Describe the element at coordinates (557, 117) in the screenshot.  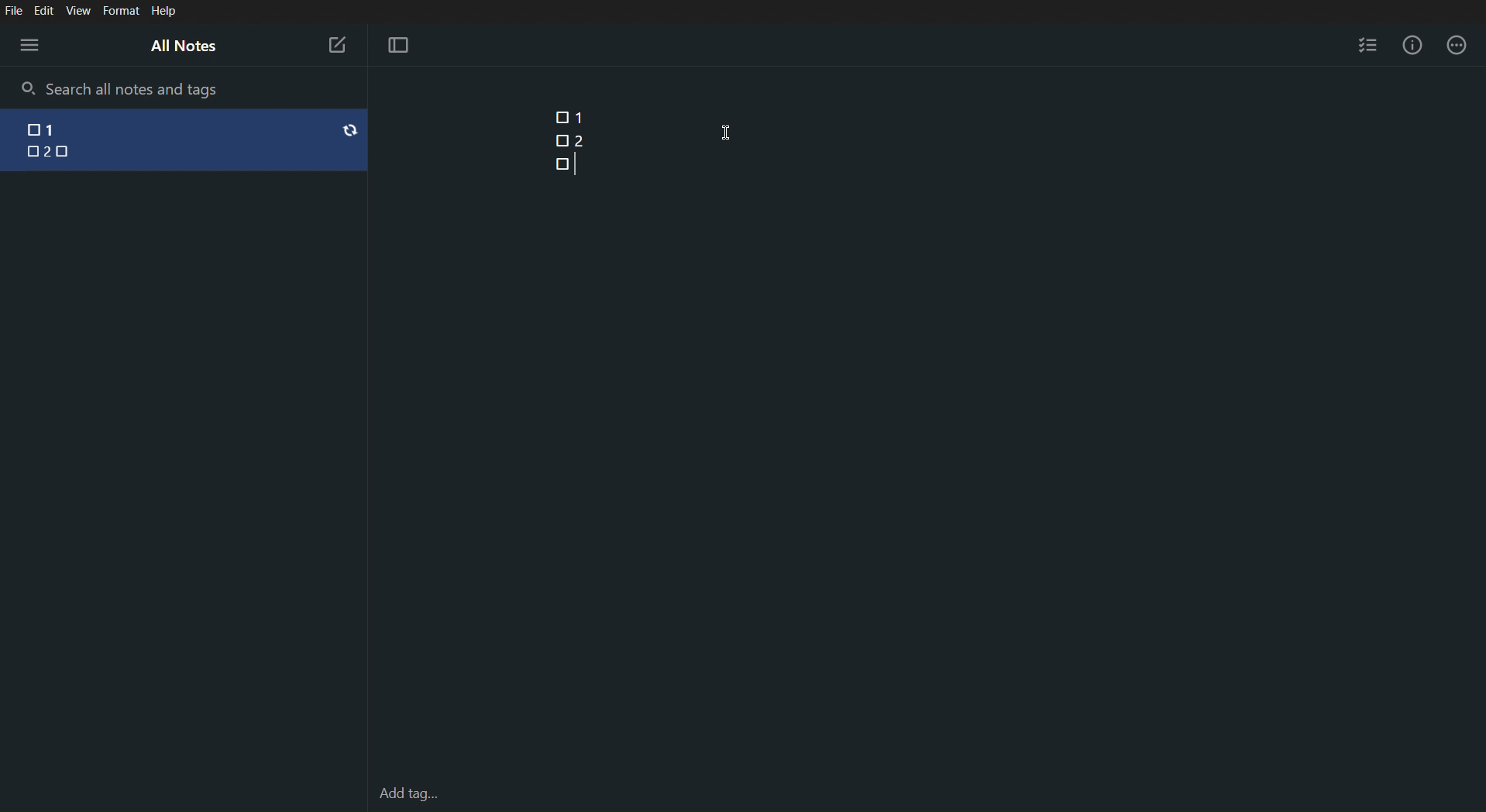
I see `Checkpoint` at that location.